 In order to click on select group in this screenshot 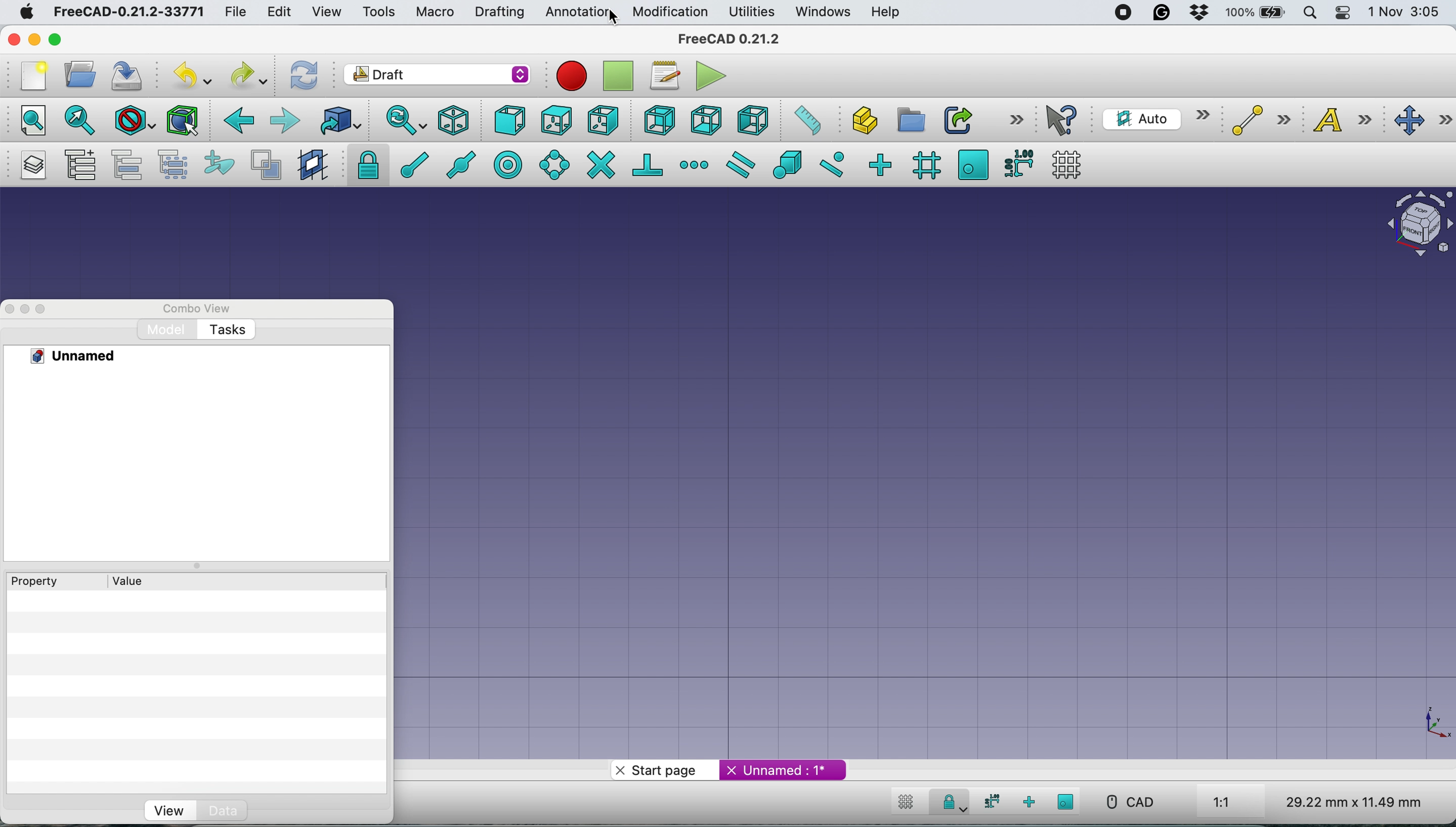, I will do `click(170, 162)`.